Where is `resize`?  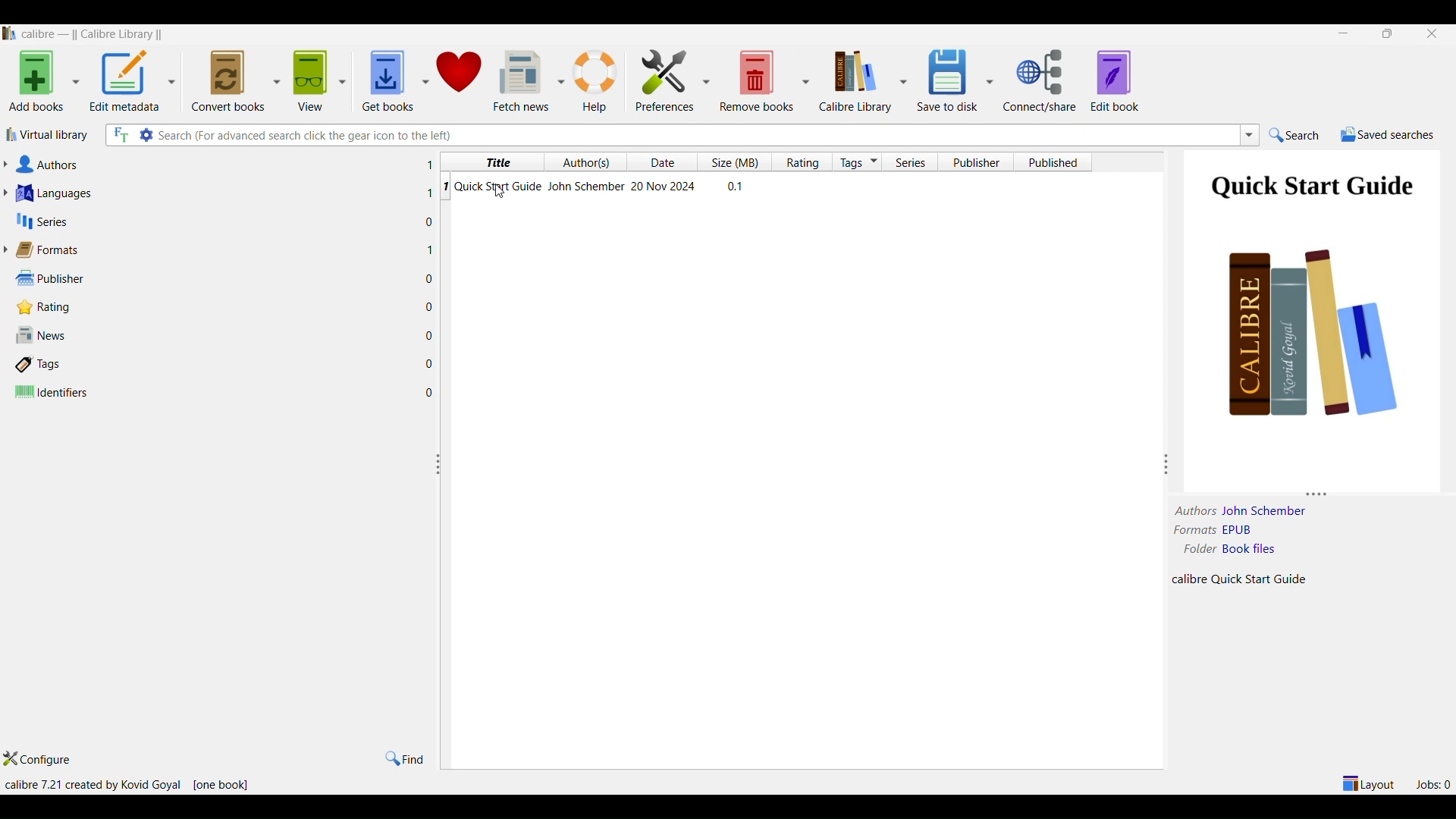 resize is located at coordinates (1167, 464).